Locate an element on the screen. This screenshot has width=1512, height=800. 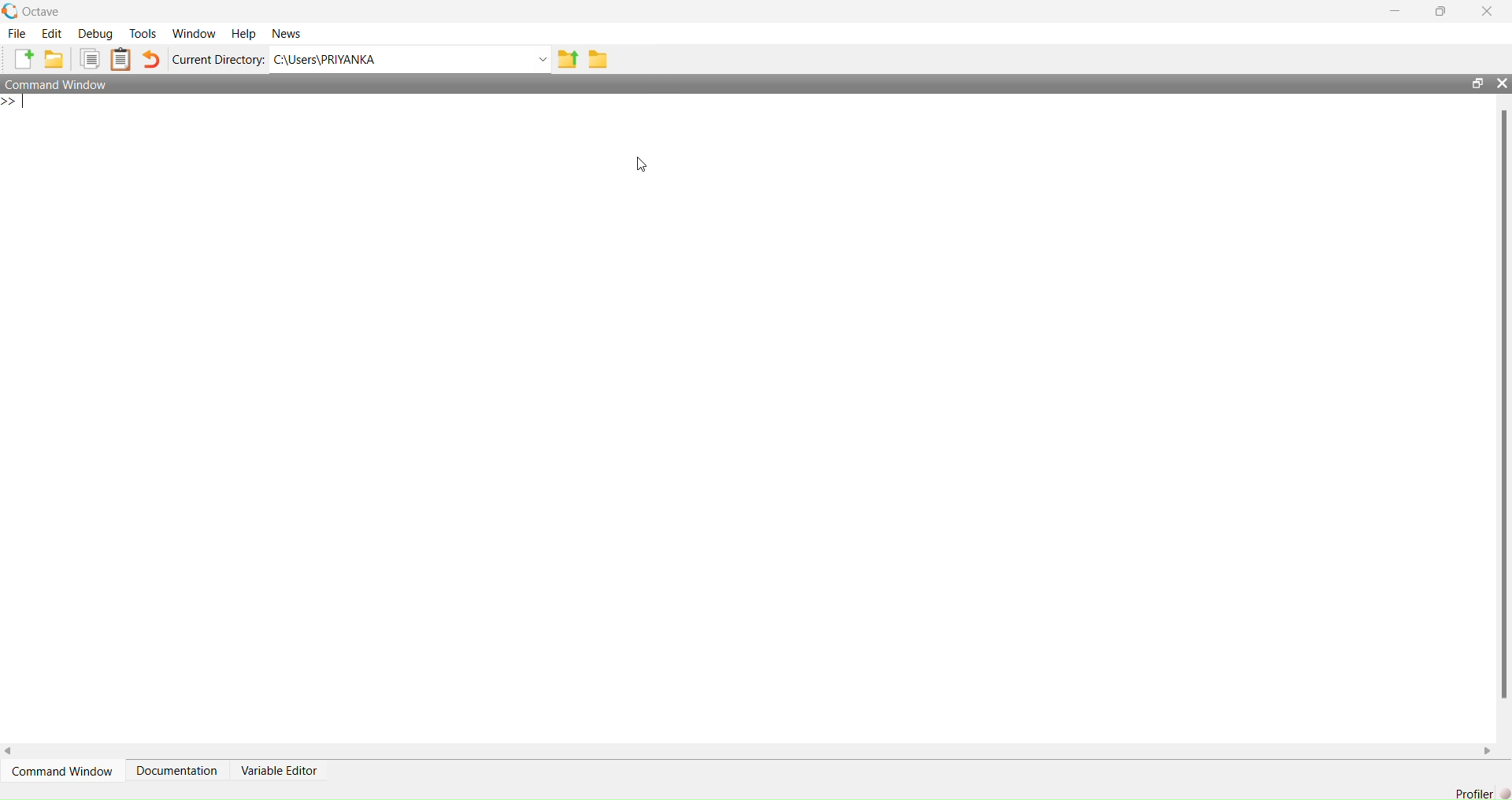
file is located at coordinates (18, 34).